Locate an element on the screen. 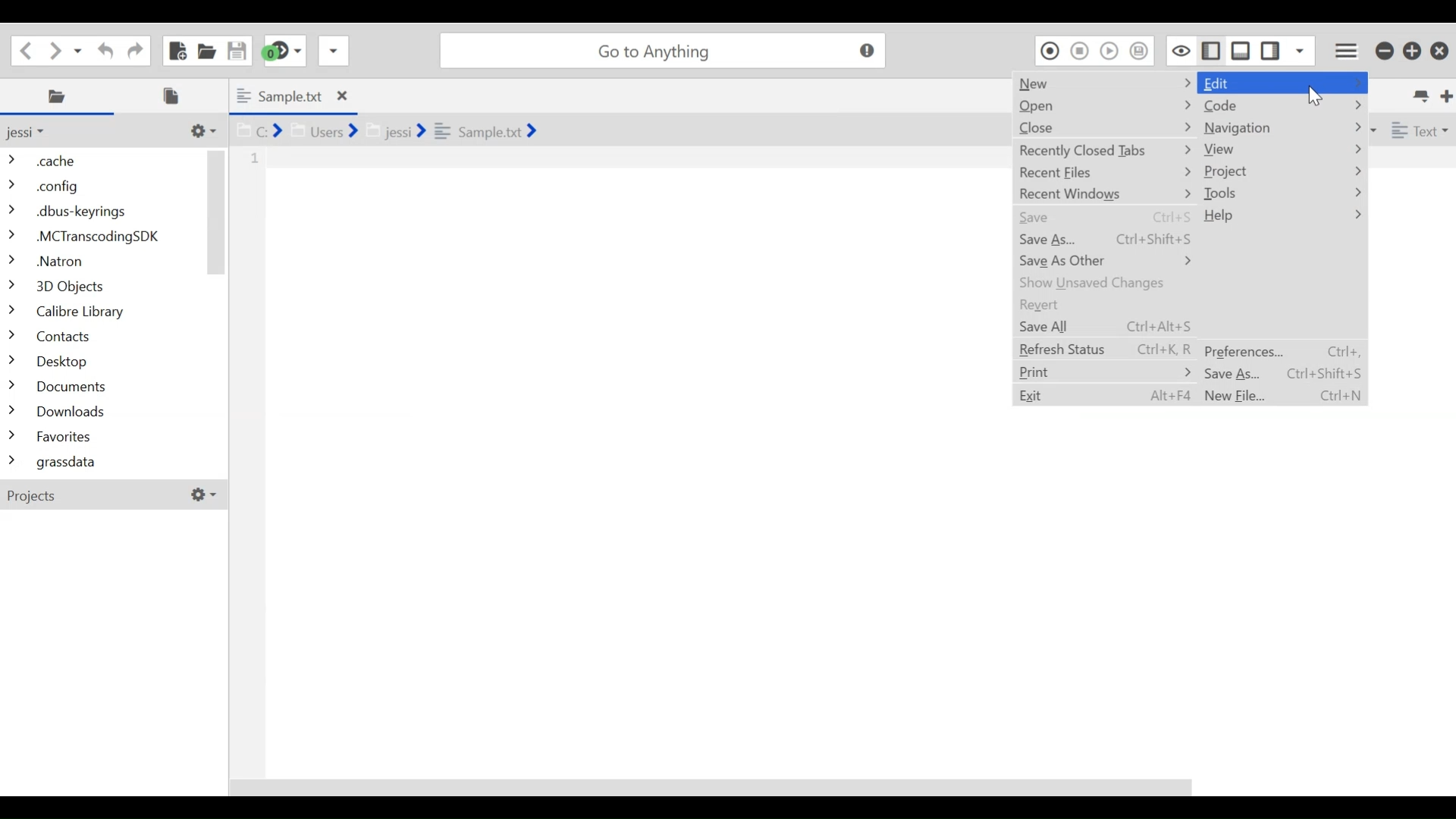 The height and width of the screenshot is (819, 1456). Play last Macros is located at coordinates (1111, 50).